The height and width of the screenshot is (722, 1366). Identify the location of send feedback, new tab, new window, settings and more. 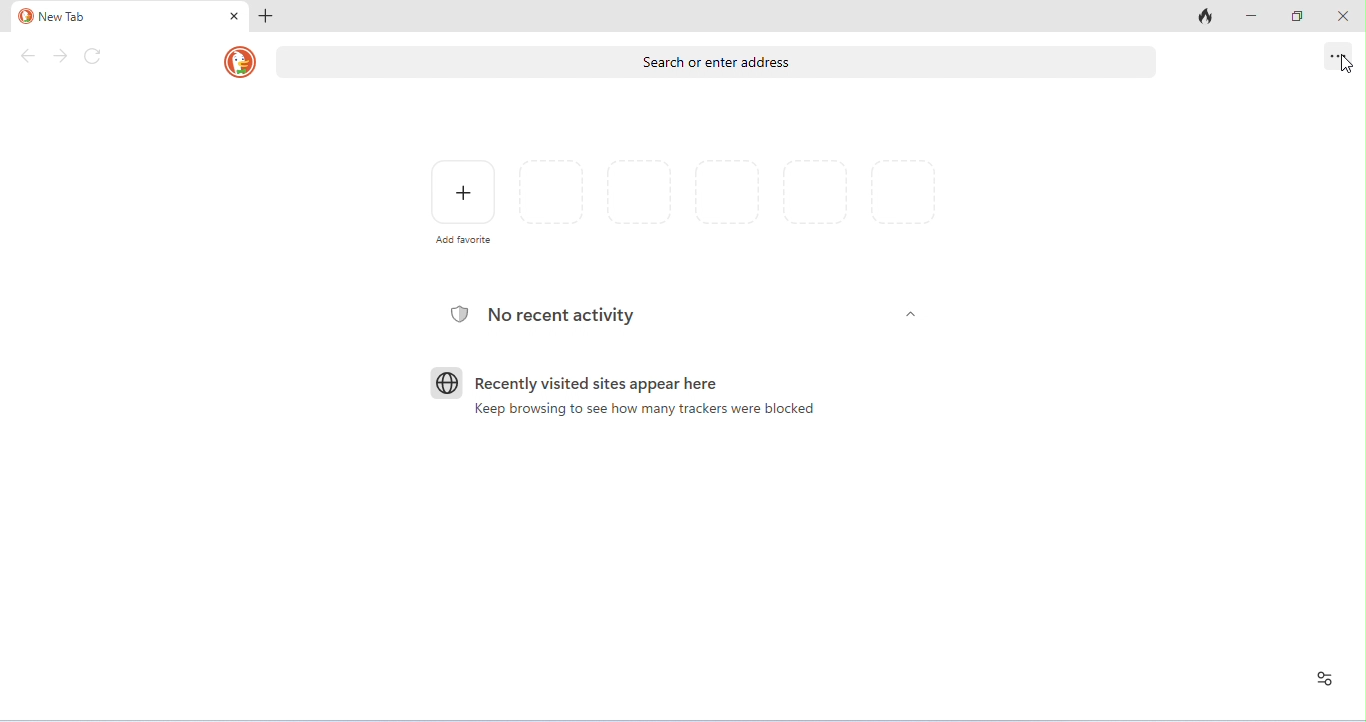
(1336, 56).